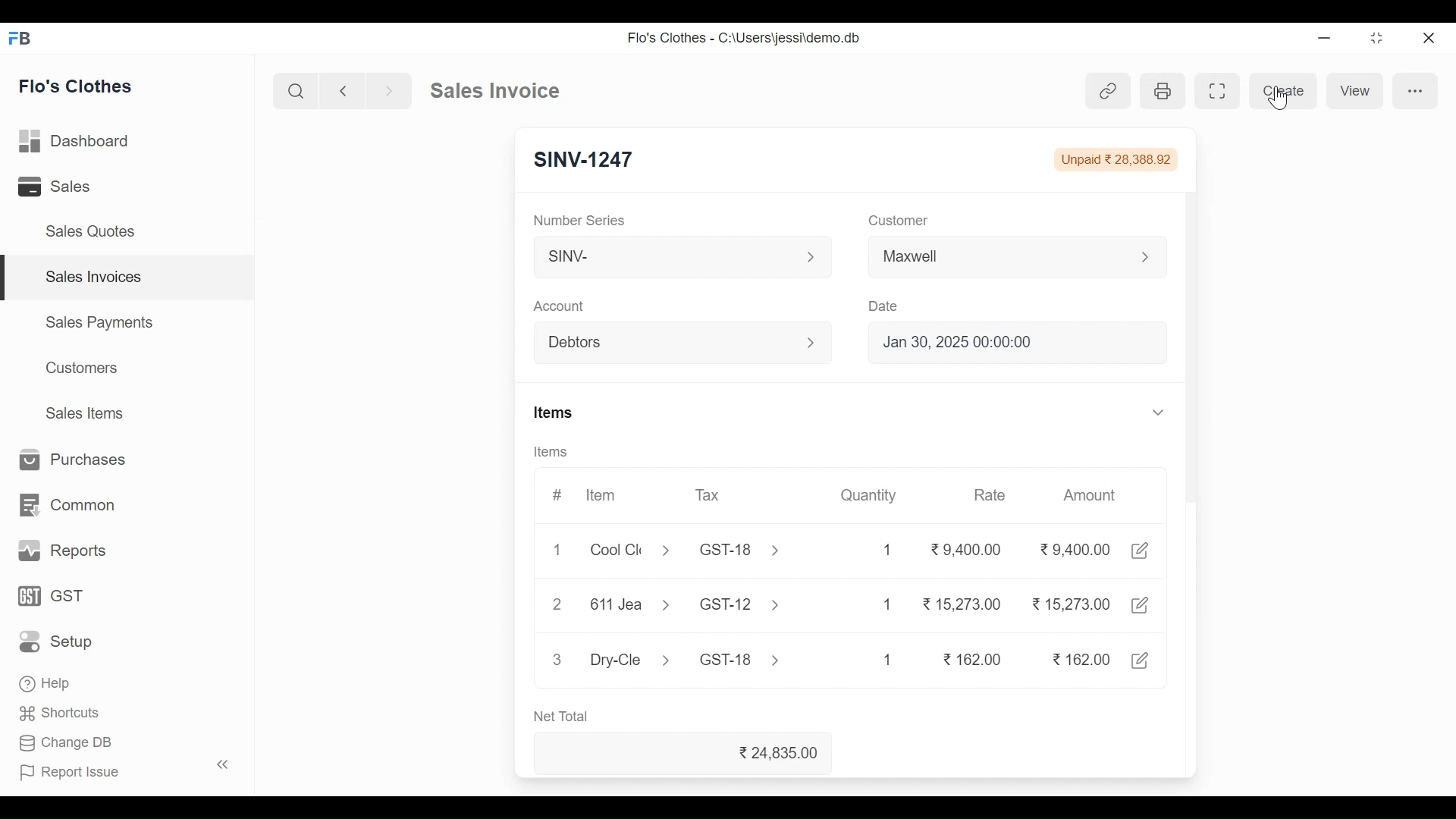 The height and width of the screenshot is (819, 1456). I want to click on Sales Items, so click(83, 413).